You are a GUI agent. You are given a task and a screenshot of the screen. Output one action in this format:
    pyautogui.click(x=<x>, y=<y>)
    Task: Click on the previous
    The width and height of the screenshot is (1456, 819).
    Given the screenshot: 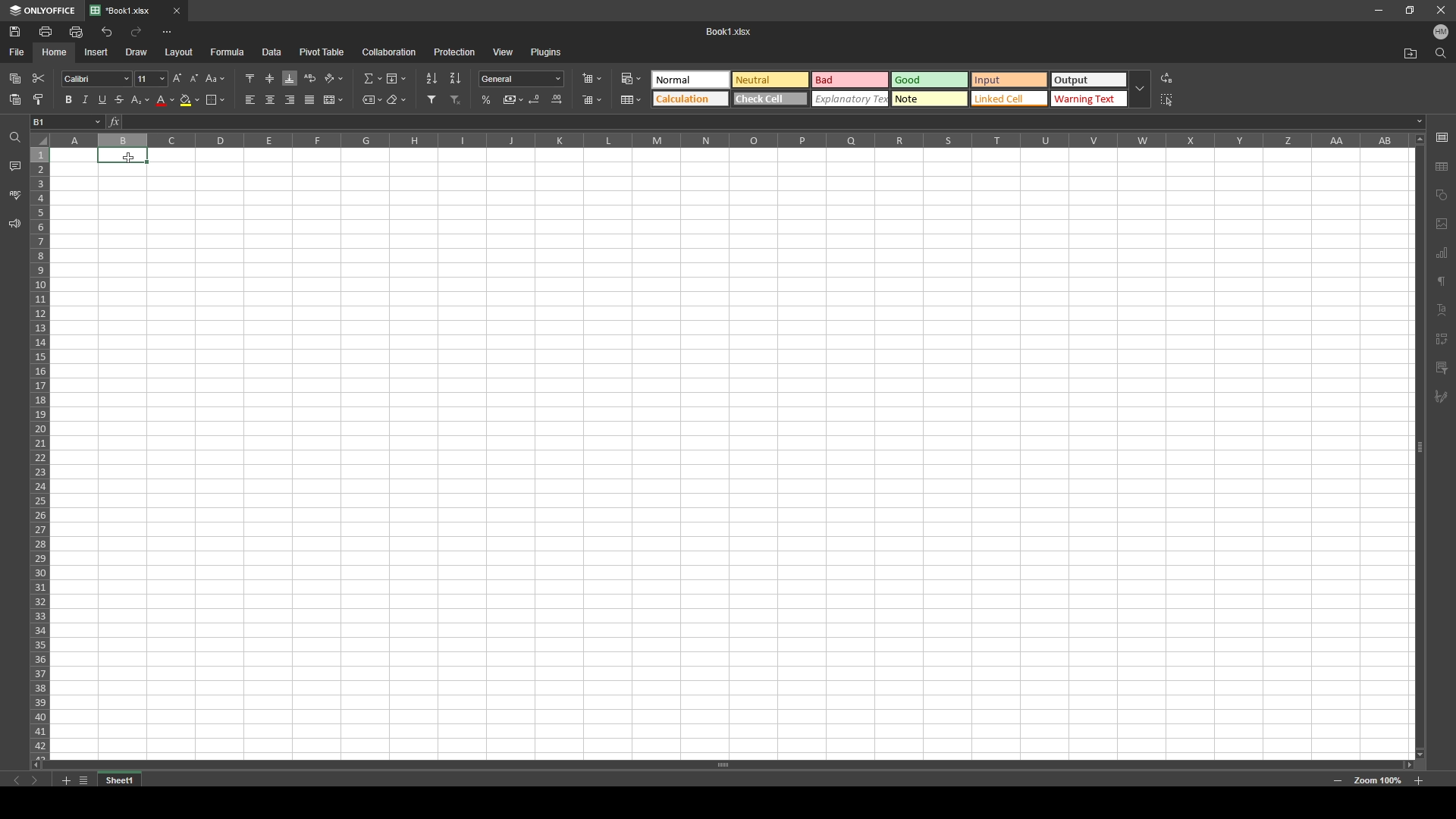 What is the action you would take?
    pyautogui.click(x=17, y=780)
    